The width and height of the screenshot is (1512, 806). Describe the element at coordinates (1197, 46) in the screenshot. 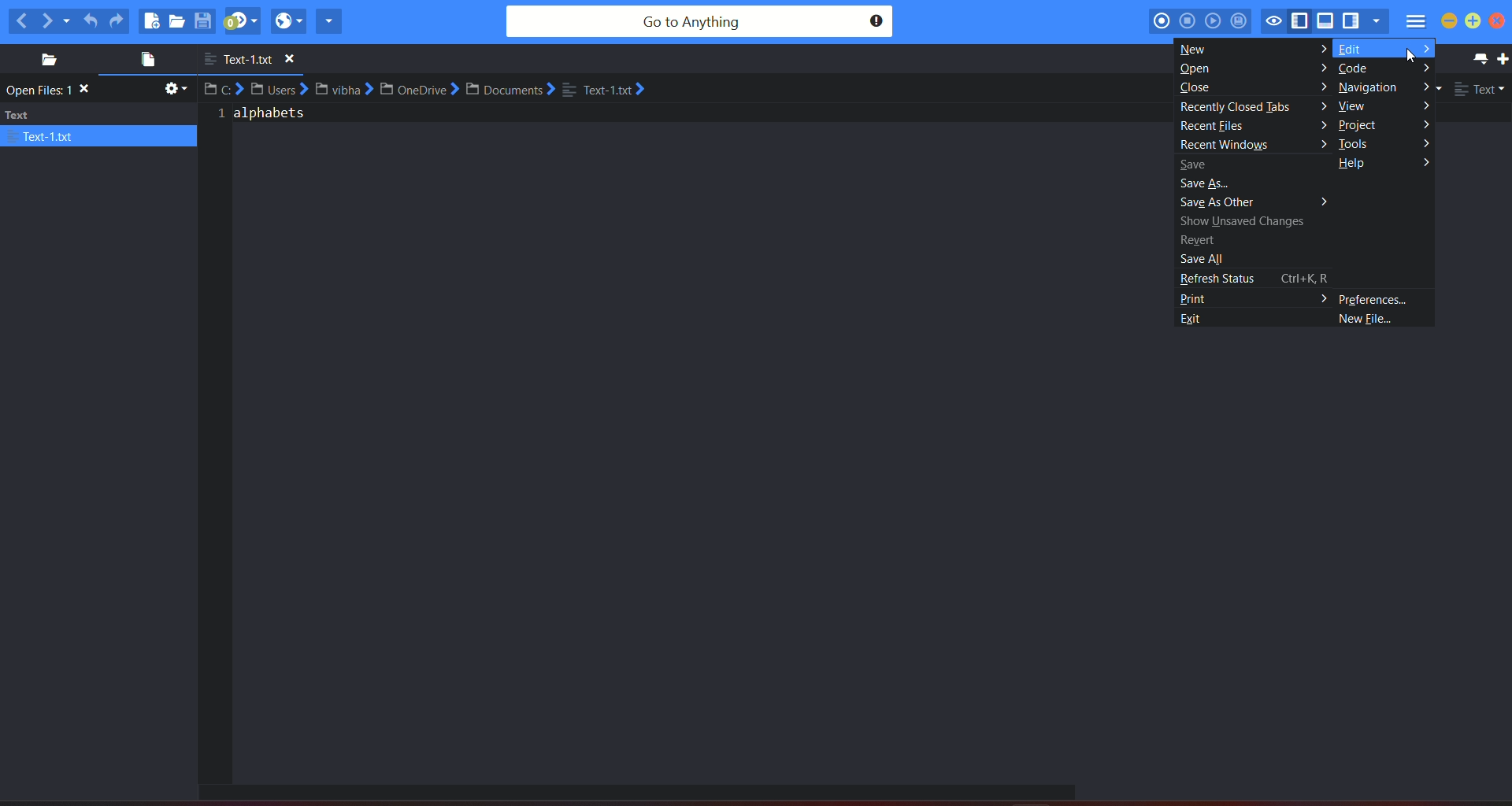

I see `New` at that location.